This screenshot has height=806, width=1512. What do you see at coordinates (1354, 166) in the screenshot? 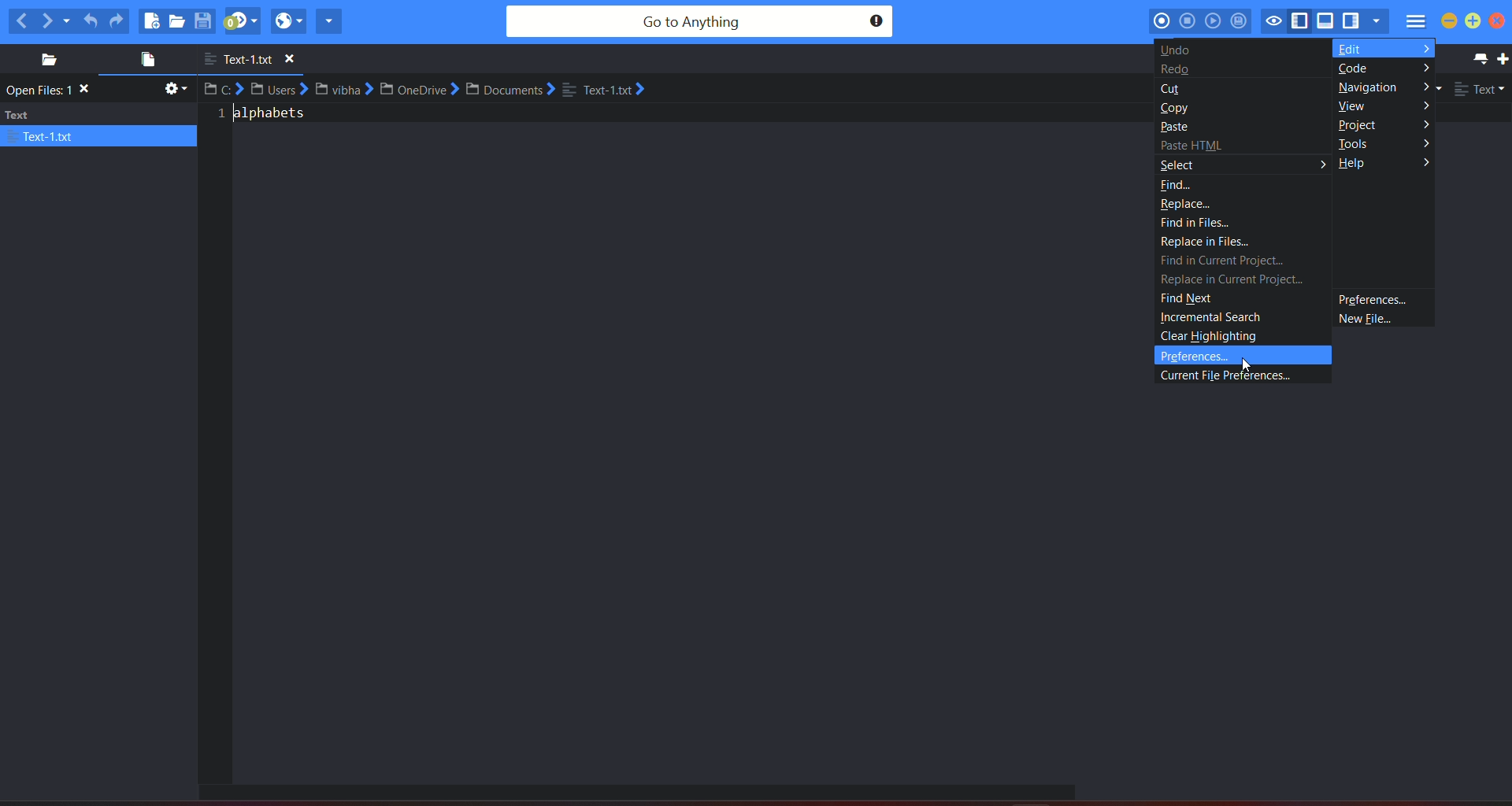
I see `help` at bounding box center [1354, 166].